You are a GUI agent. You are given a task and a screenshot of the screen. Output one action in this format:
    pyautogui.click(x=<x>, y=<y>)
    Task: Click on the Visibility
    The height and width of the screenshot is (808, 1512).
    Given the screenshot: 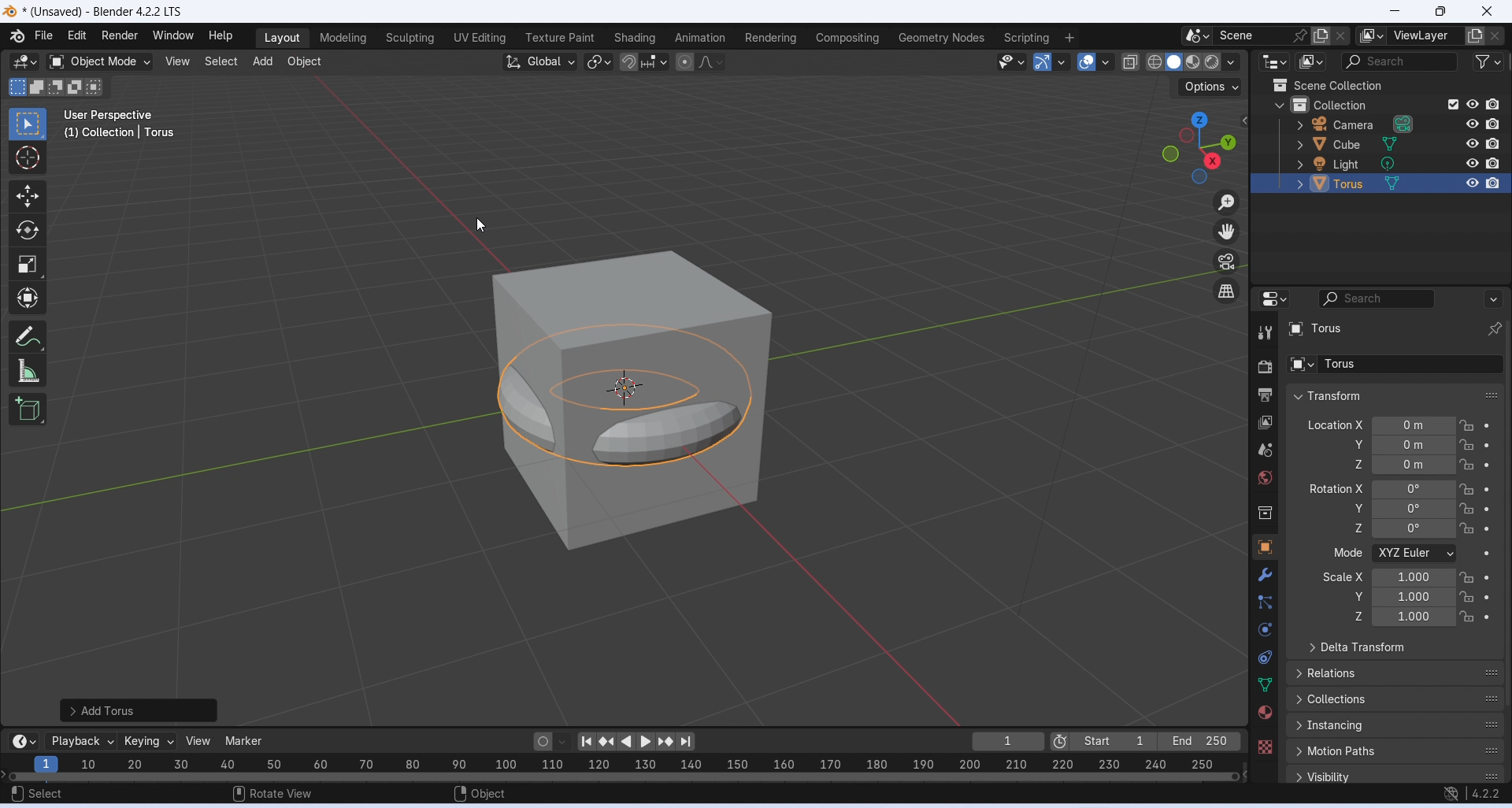 What is the action you would take?
    pyautogui.click(x=1395, y=775)
    